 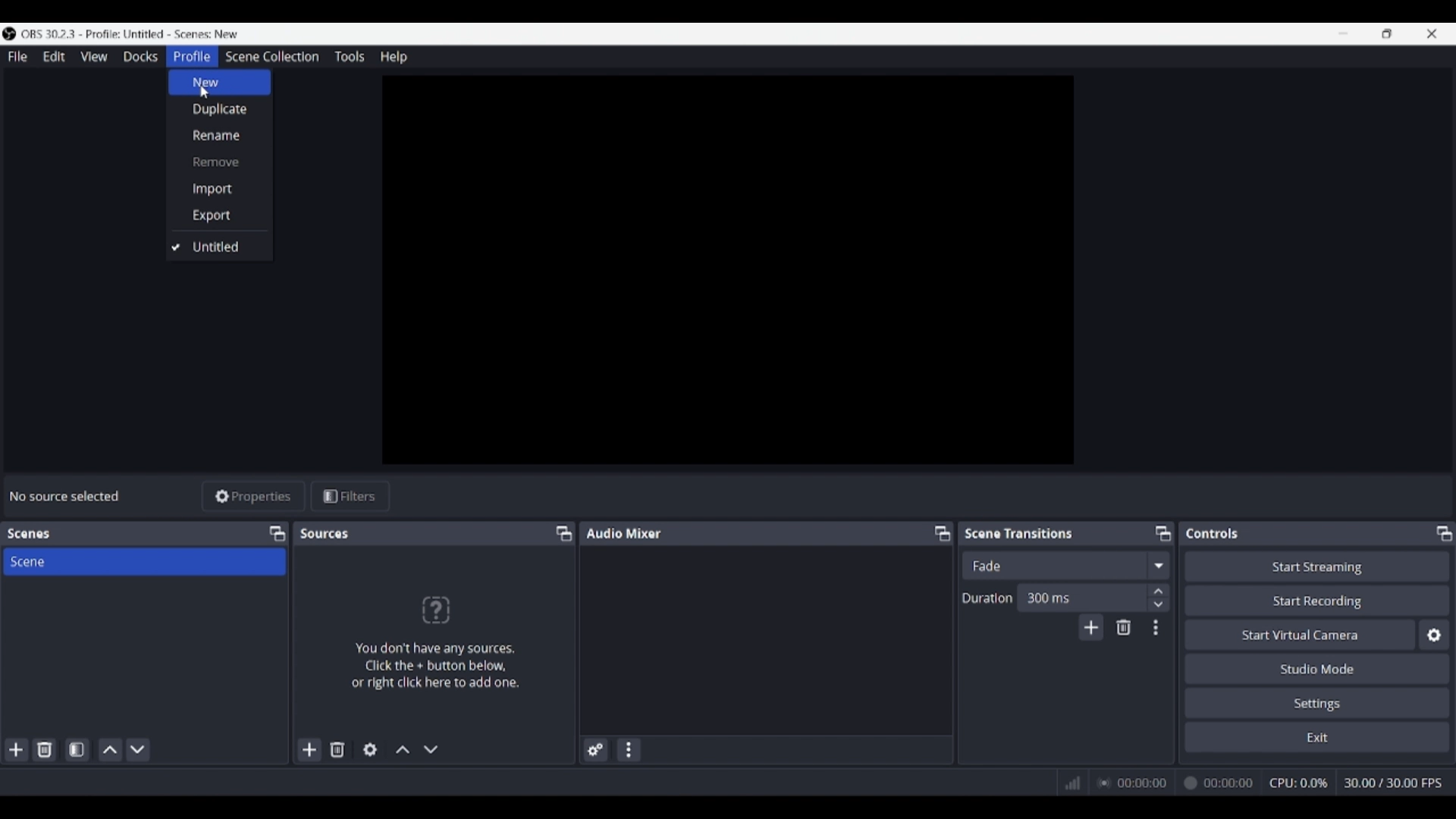 What do you see at coordinates (310, 749) in the screenshot?
I see `Add source` at bounding box center [310, 749].